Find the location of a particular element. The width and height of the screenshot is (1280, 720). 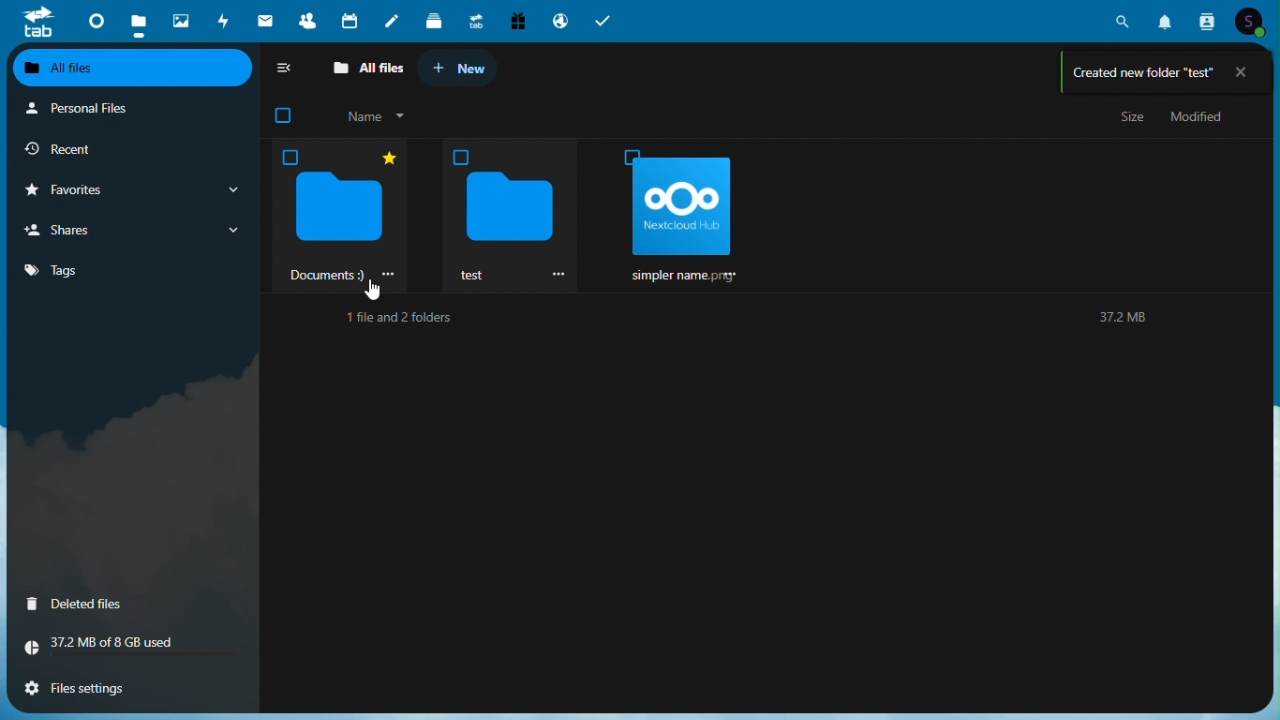

Photos is located at coordinates (181, 21).